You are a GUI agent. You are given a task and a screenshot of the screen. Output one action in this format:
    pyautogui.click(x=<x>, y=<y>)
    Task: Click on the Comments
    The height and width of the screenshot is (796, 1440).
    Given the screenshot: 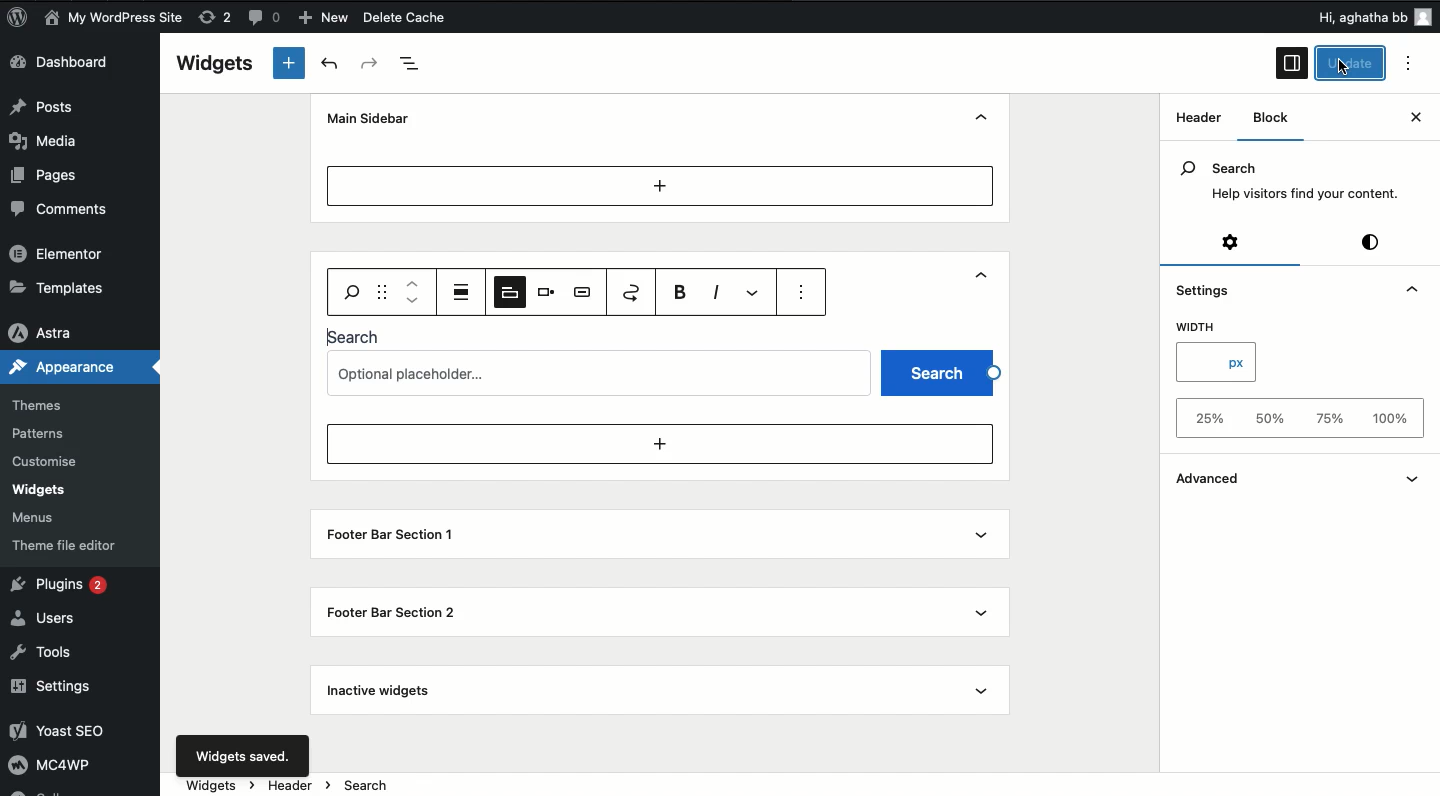 What is the action you would take?
    pyautogui.click(x=63, y=209)
    